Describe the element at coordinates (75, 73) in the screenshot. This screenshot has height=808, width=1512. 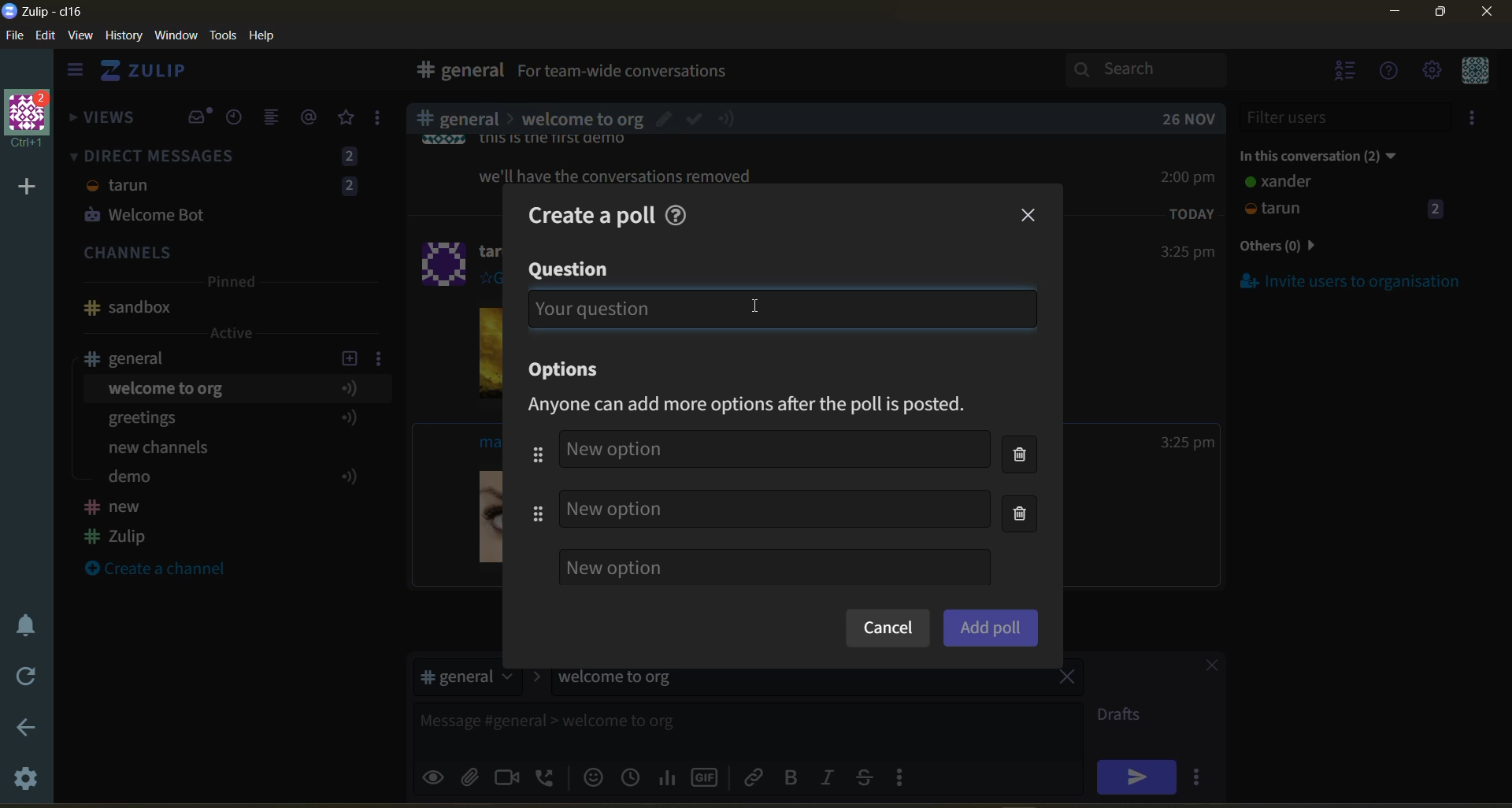
I see `hide side bar` at that location.